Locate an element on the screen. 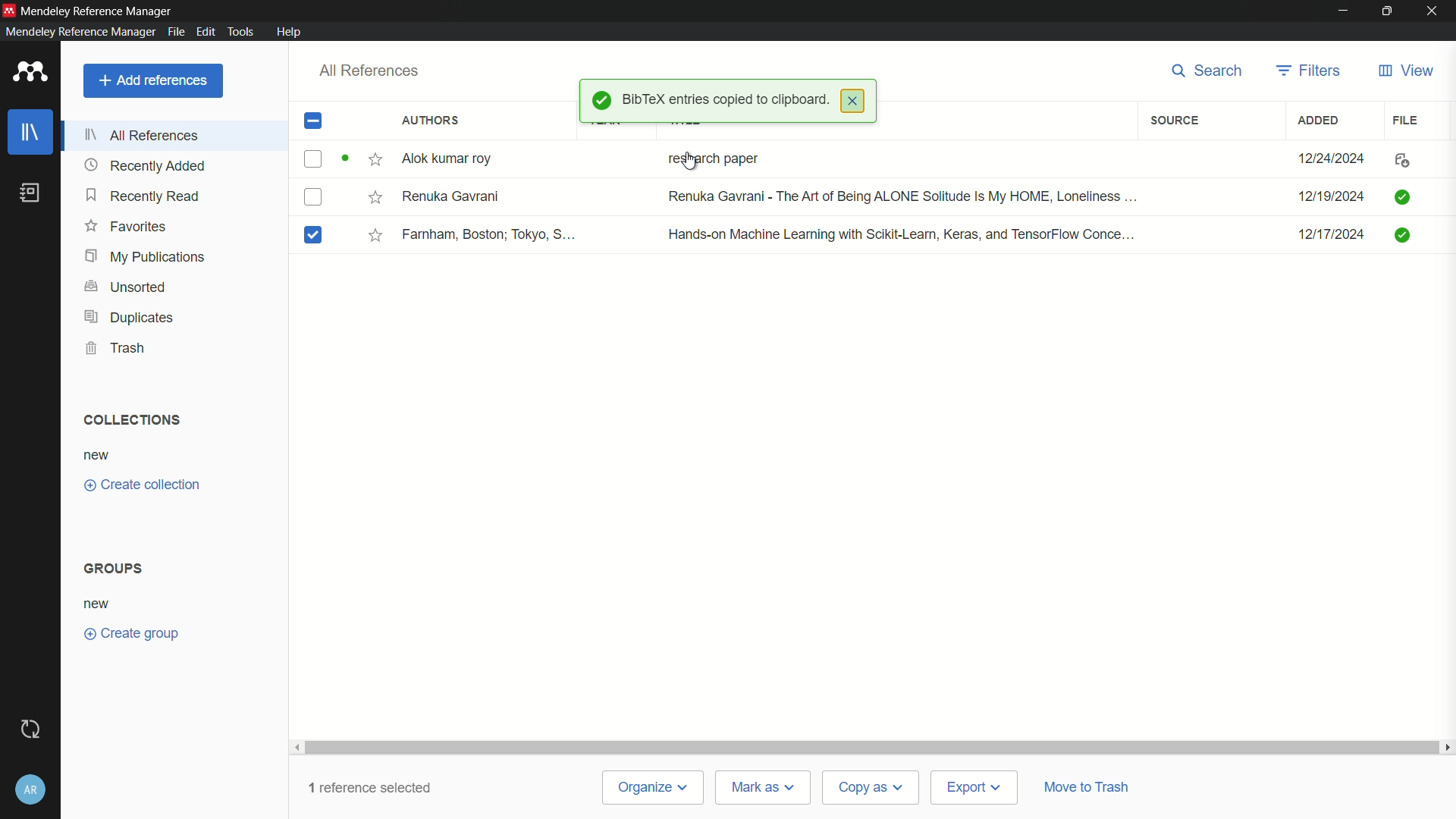  Alok Kumar Roy is located at coordinates (458, 158).